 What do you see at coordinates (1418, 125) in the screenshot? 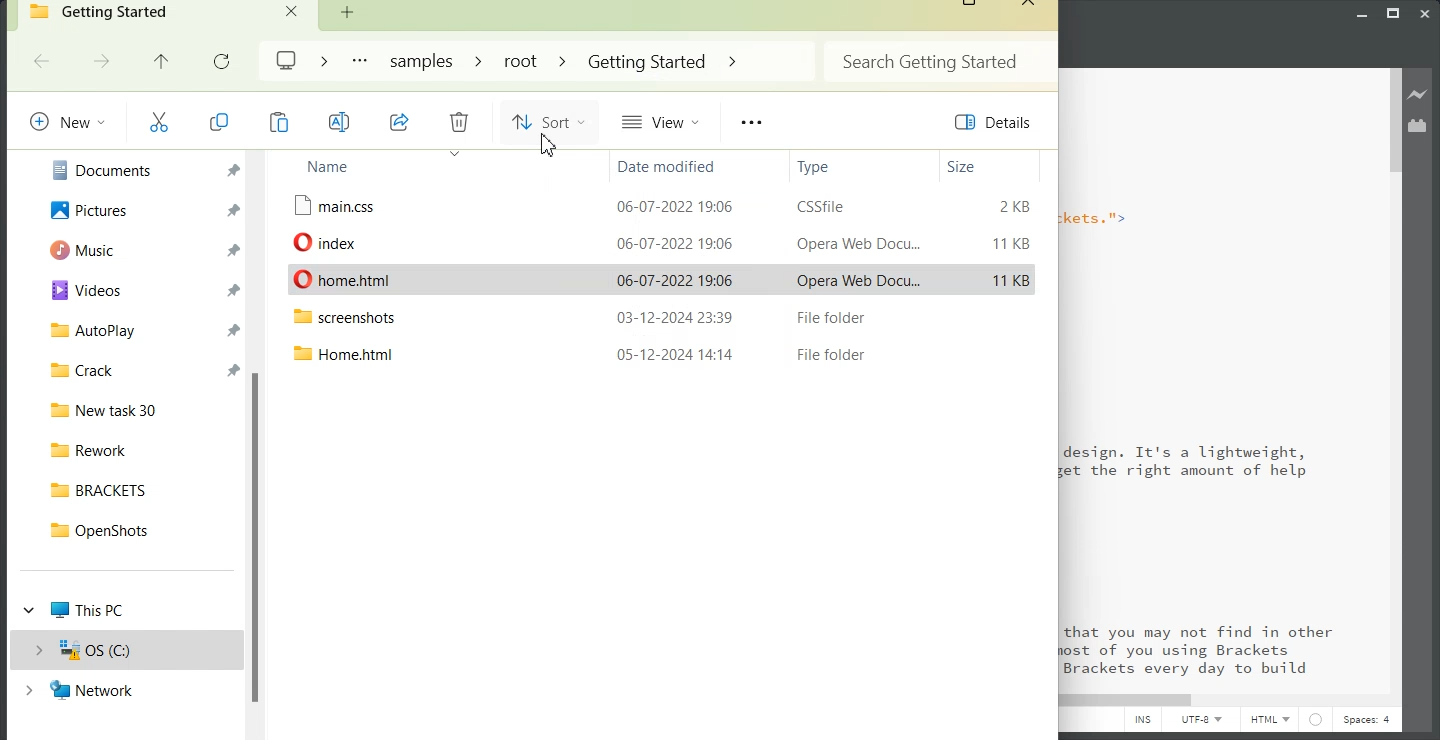
I see `Extension Manager` at bounding box center [1418, 125].